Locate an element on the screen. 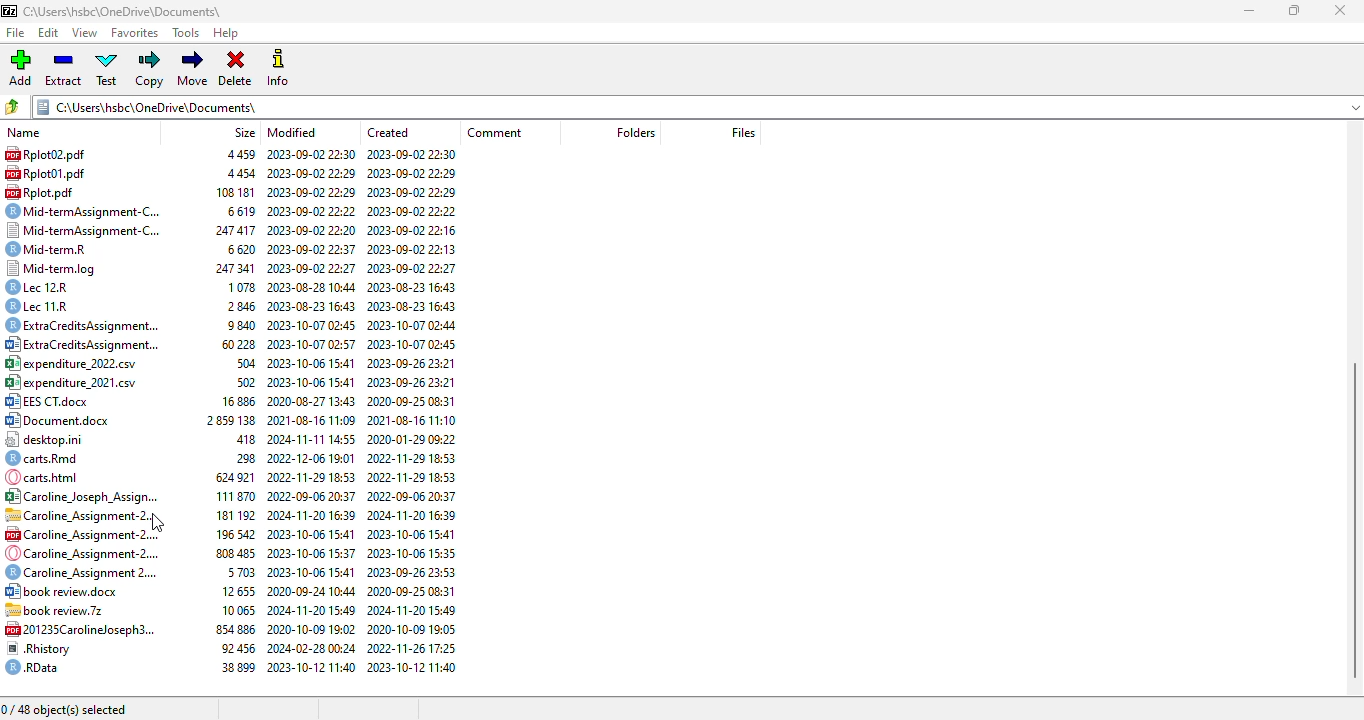 Image resolution: width=1364 pixels, height=720 pixels. cursor is located at coordinates (158, 523).